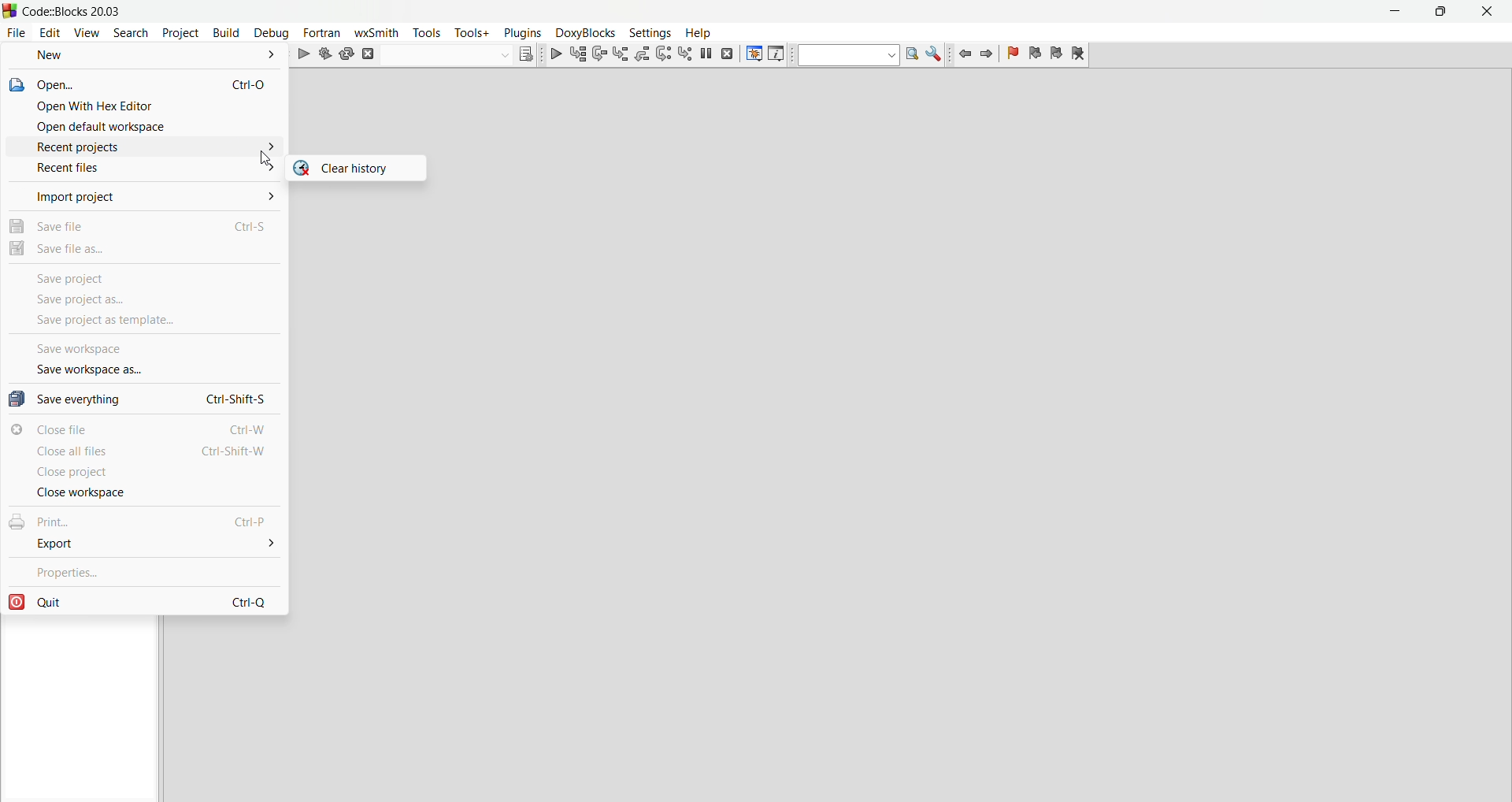 The width and height of the screenshot is (1512, 802). I want to click on run, so click(306, 56).